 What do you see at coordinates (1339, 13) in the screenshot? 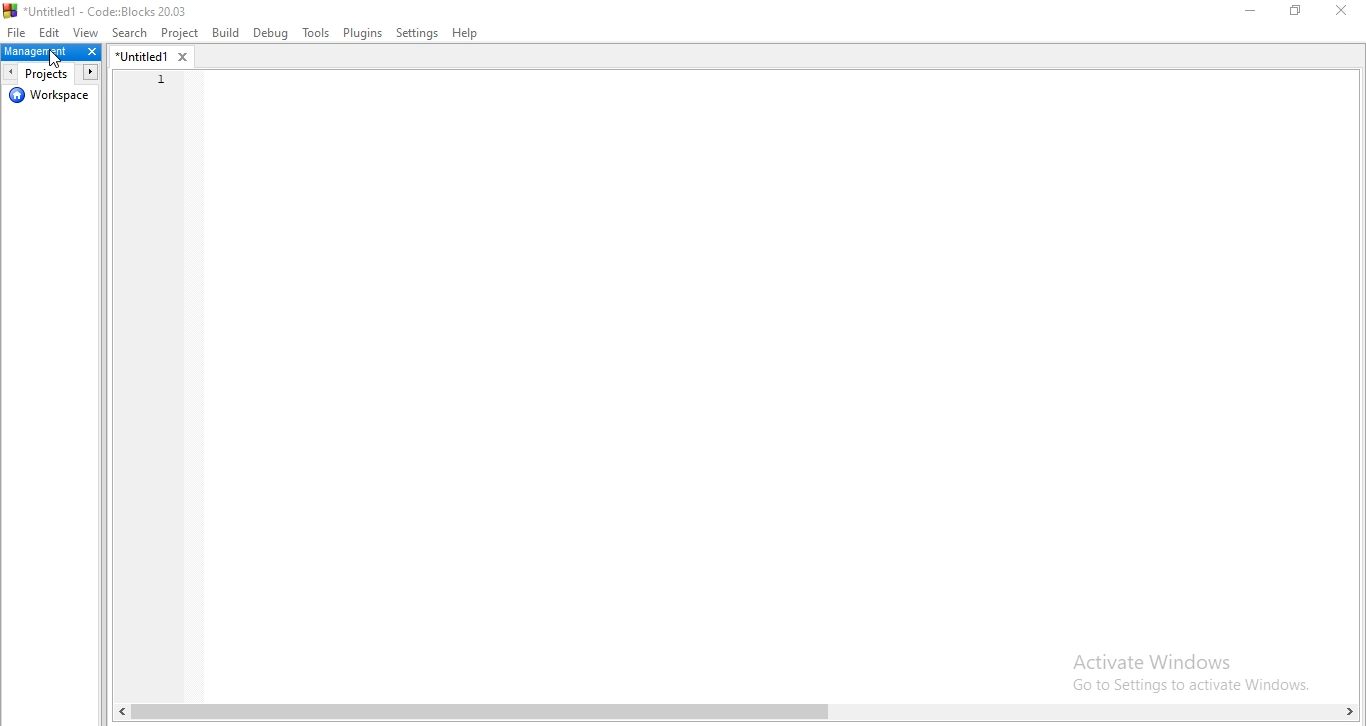
I see `Close` at bounding box center [1339, 13].